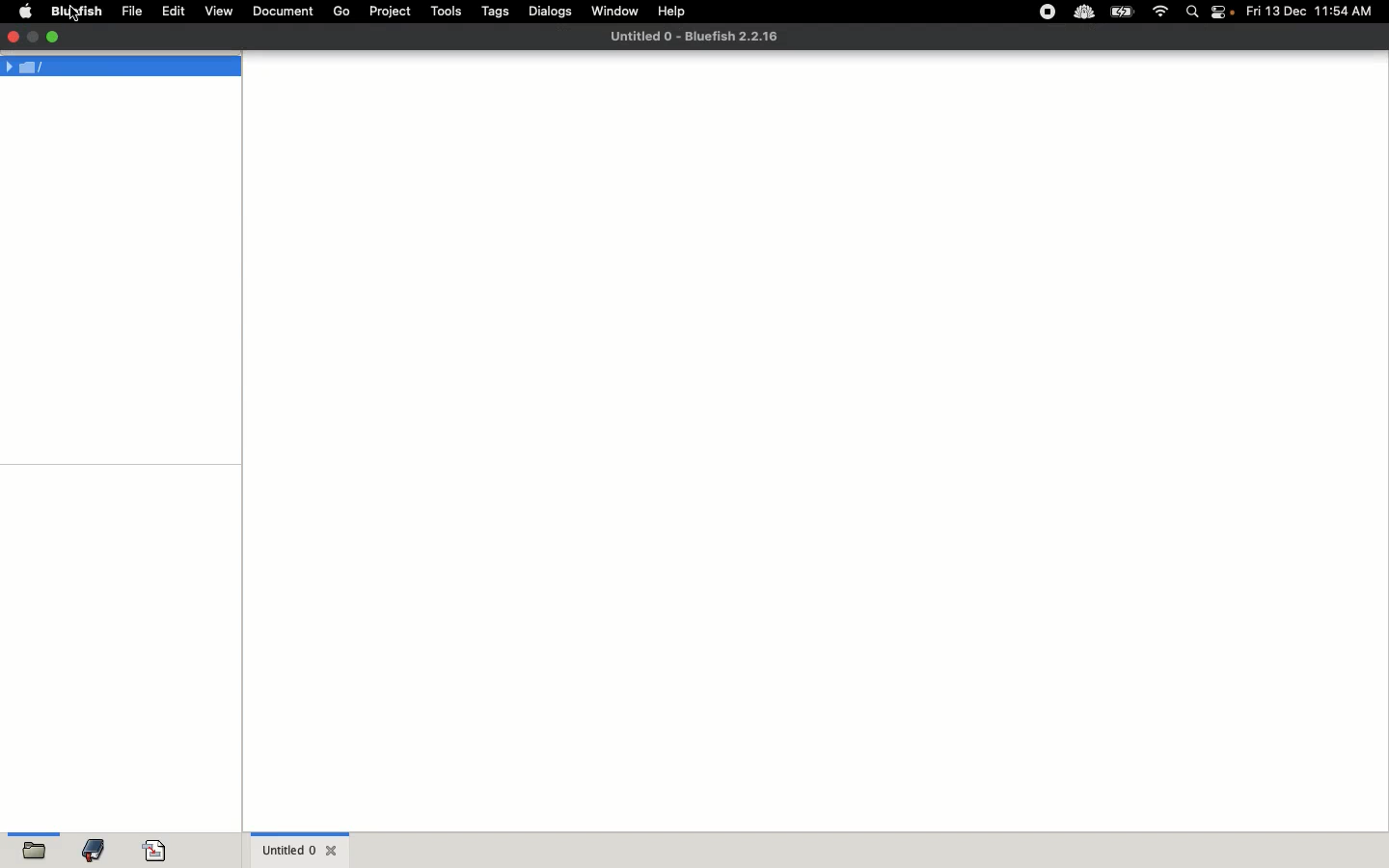  Describe the element at coordinates (447, 11) in the screenshot. I see `Tools` at that location.